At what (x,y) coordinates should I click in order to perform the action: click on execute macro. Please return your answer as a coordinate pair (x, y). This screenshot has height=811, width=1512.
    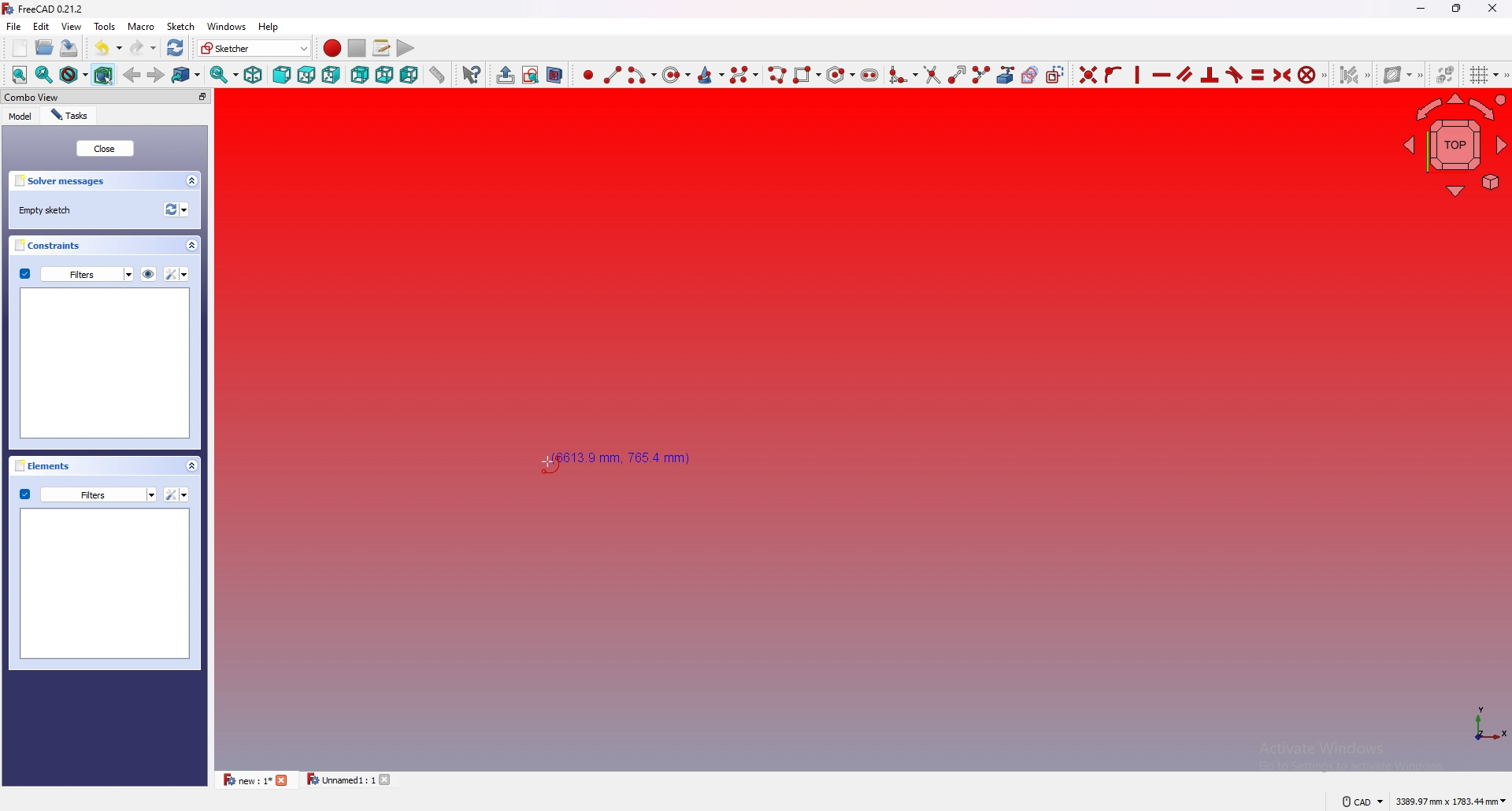
    Looking at the image, I should click on (406, 48).